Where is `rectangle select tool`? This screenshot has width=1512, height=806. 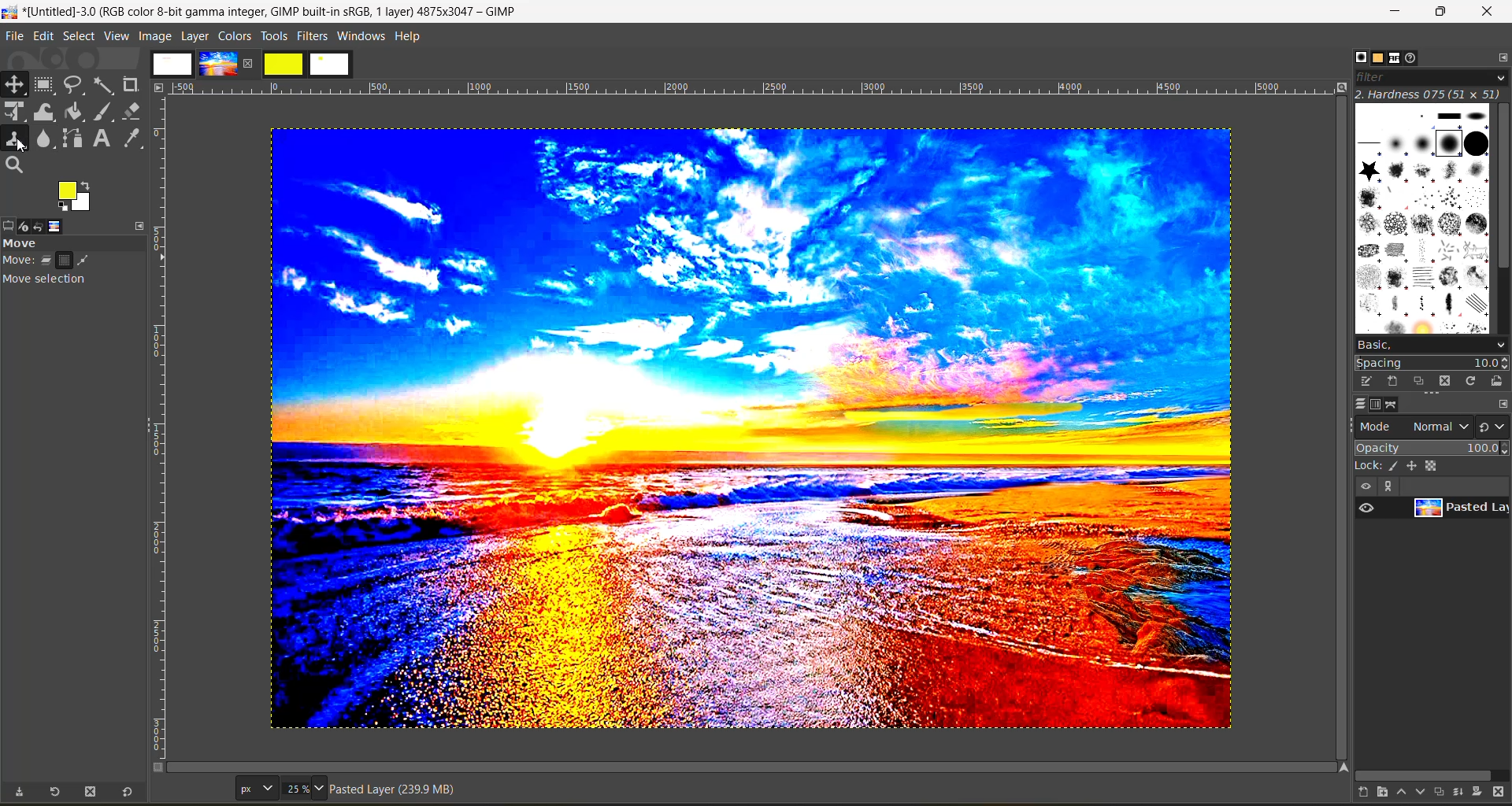
rectangle select tool is located at coordinates (46, 85).